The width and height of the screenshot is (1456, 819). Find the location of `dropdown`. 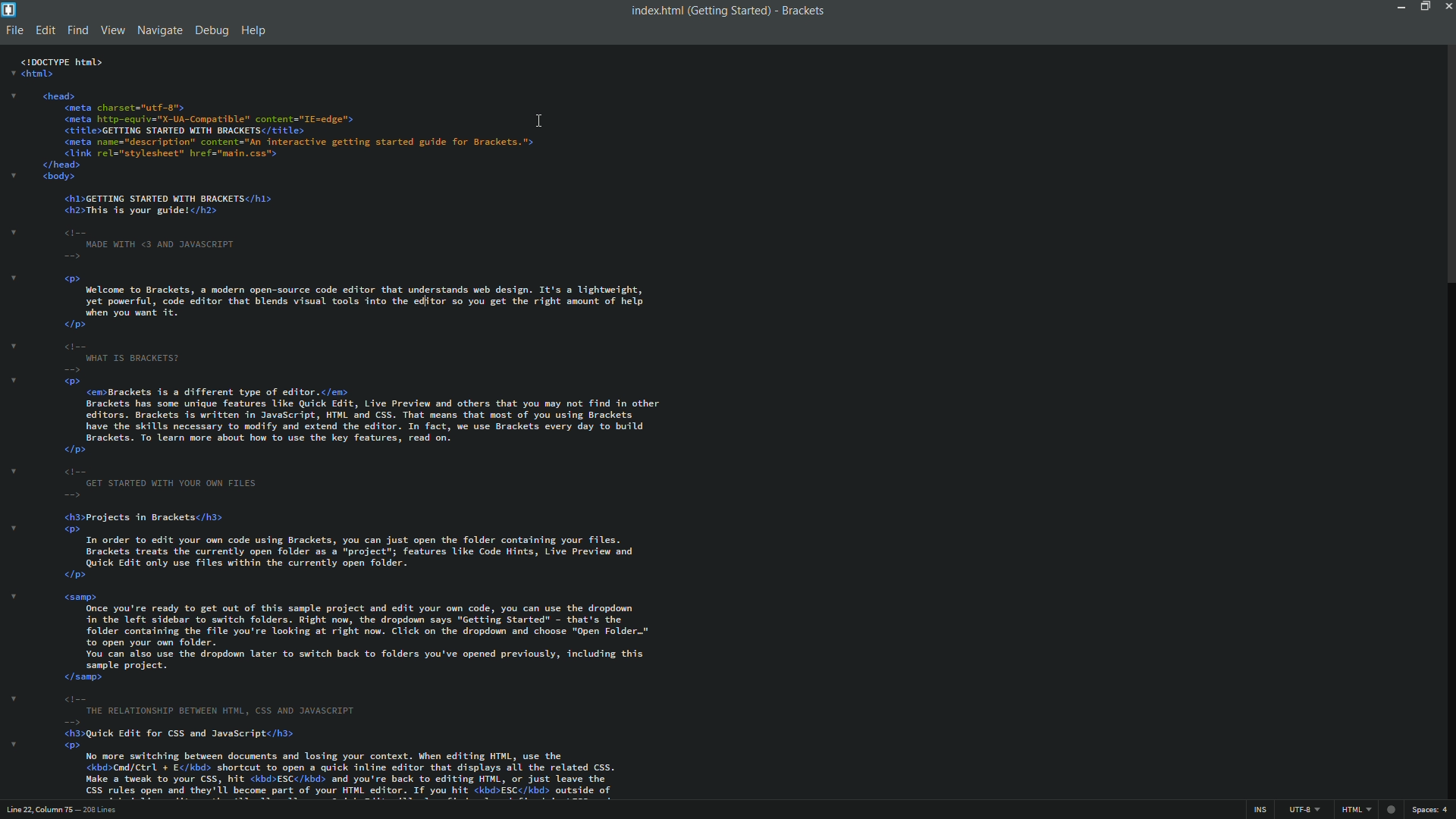

dropdown is located at coordinates (13, 379).